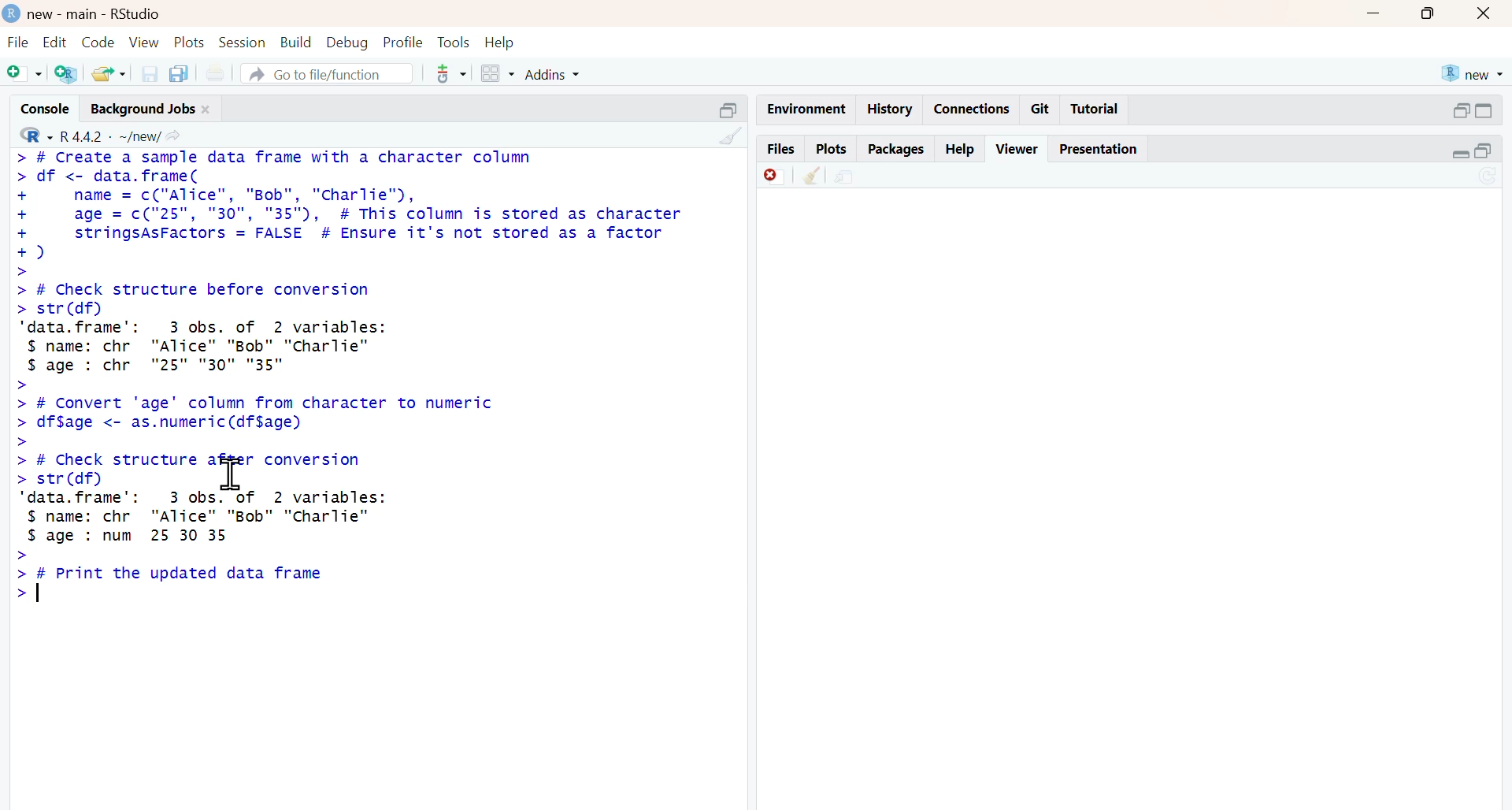  I want to click on background jobs, so click(143, 110).